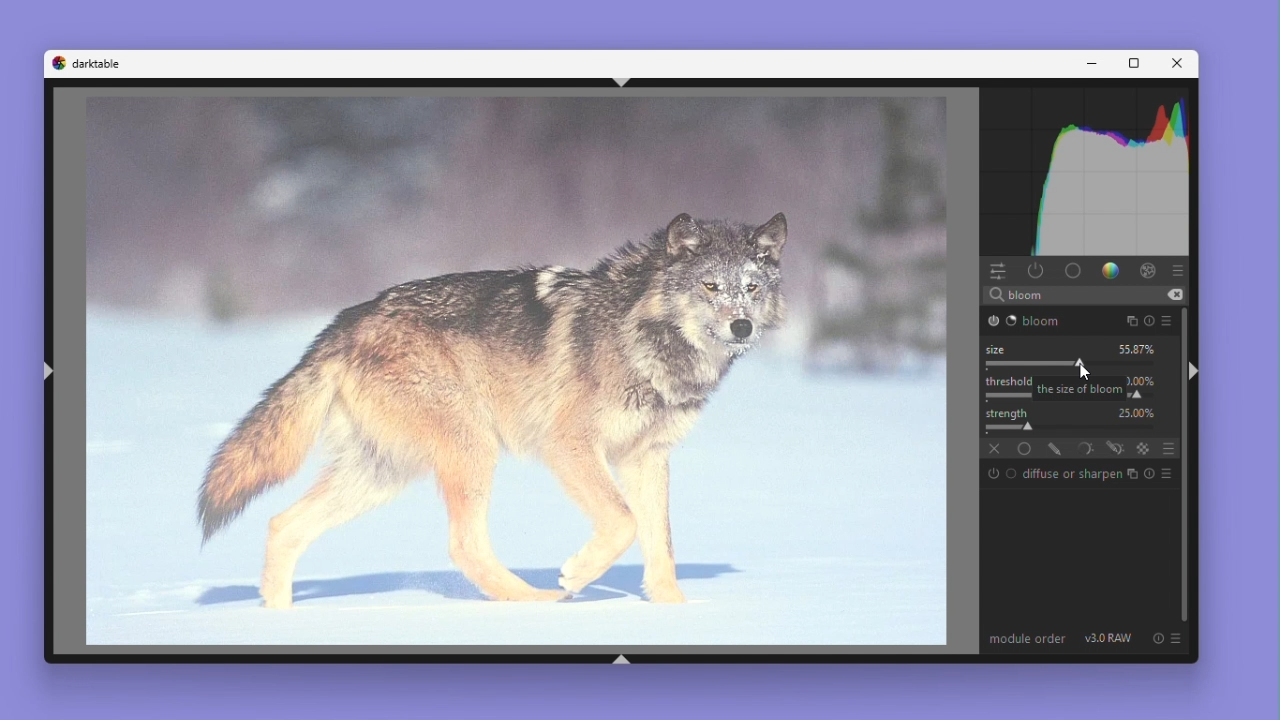 The image size is (1280, 720). I want to click on adjustment slider, so click(1075, 429).